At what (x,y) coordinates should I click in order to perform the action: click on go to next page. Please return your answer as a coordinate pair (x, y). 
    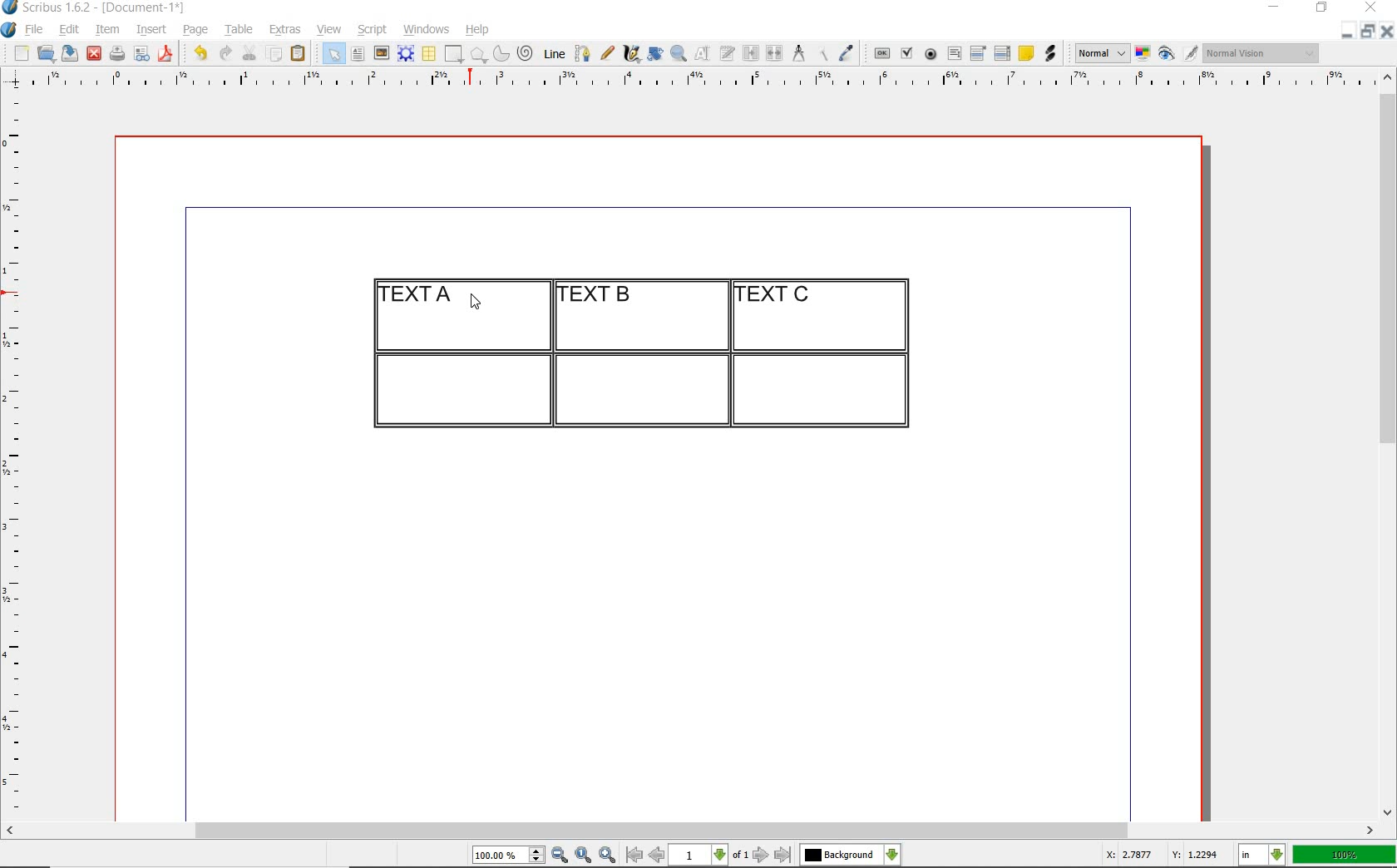
    Looking at the image, I should click on (761, 856).